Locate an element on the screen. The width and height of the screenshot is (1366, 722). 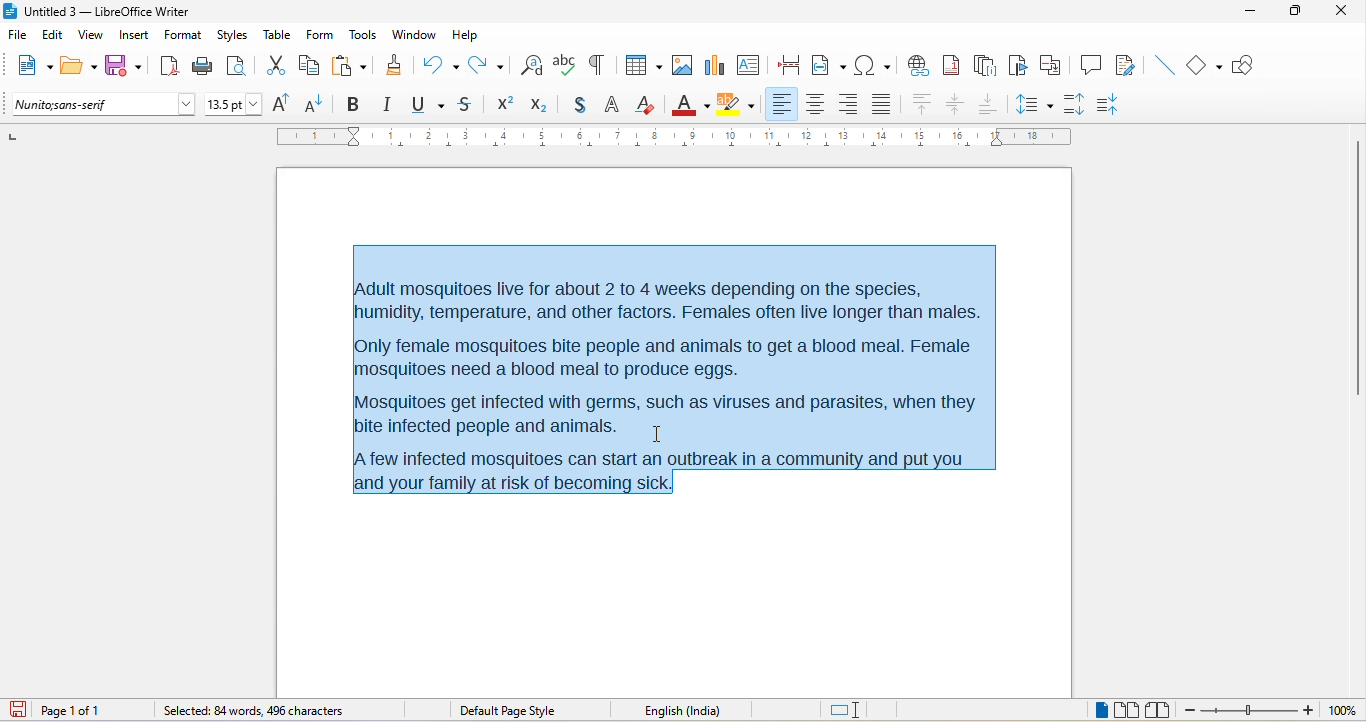
strikethrough is located at coordinates (468, 104).